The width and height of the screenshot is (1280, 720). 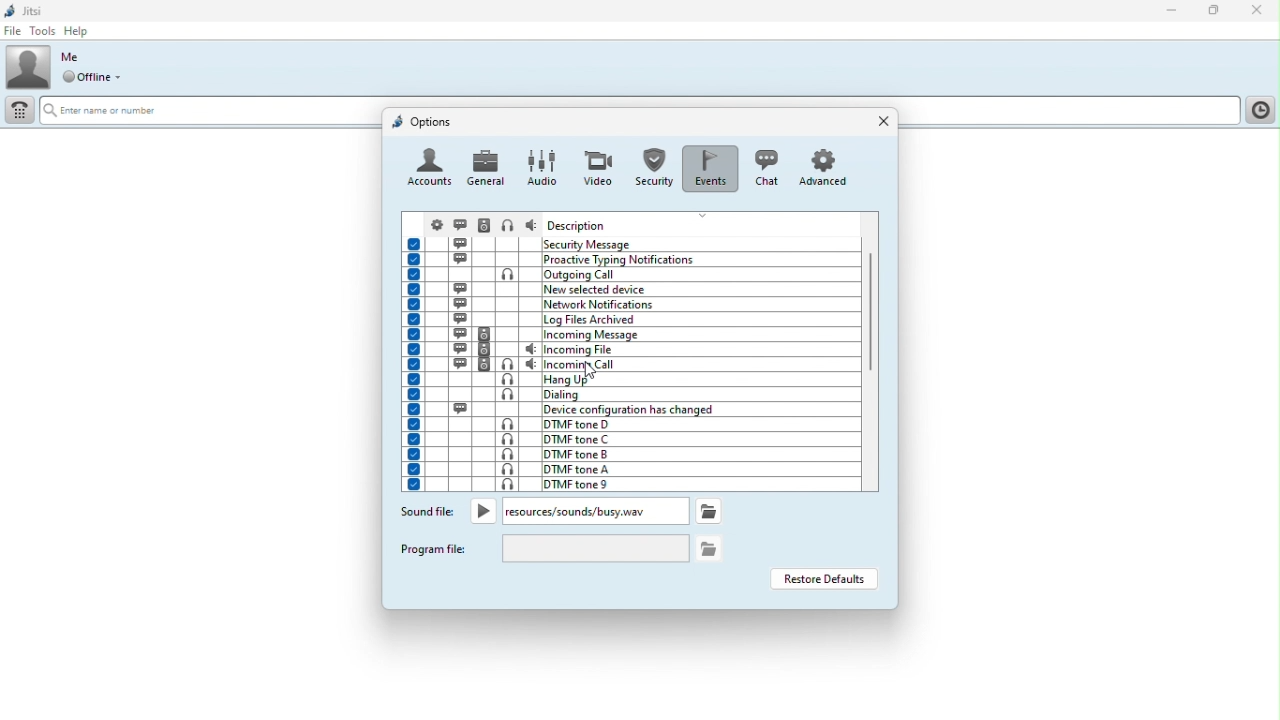 I want to click on General, so click(x=487, y=167).